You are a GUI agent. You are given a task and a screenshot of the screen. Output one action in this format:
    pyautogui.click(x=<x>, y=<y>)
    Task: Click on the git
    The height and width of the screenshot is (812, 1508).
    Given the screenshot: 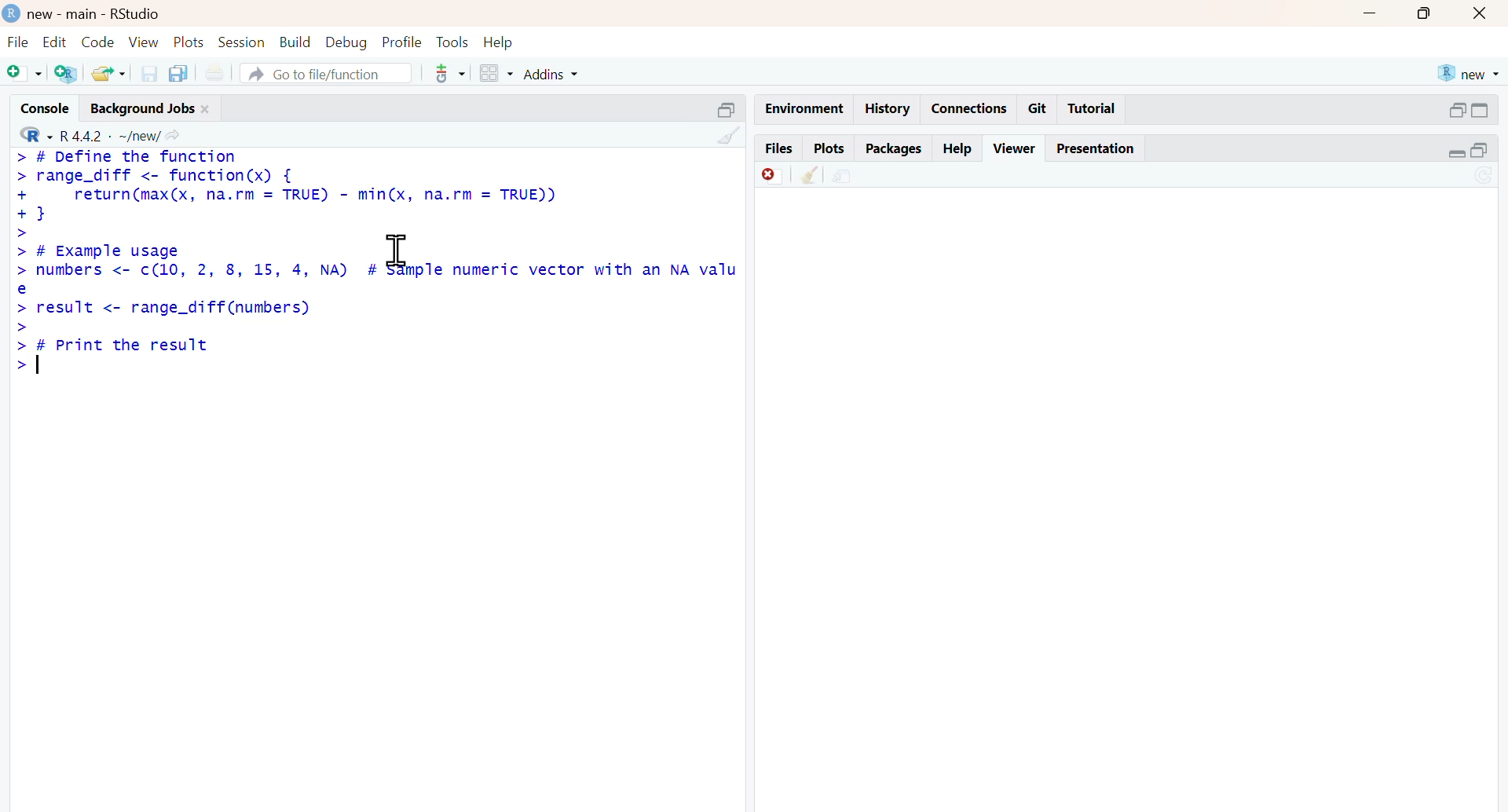 What is the action you would take?
    pyautogui.click(x=1038, y=108)
    